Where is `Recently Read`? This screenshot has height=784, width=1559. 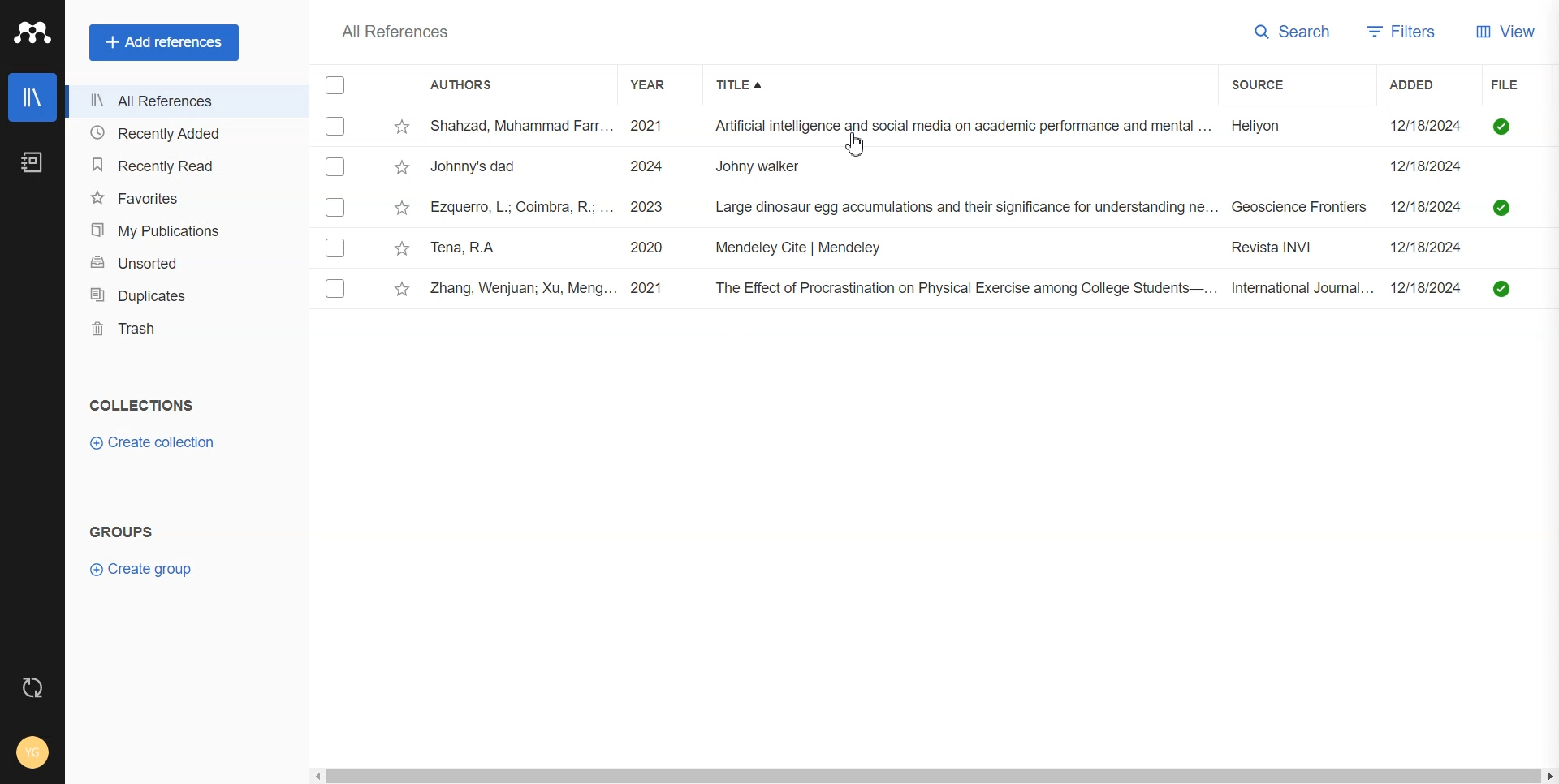
Recently Read is located at coordinates (174, 164).